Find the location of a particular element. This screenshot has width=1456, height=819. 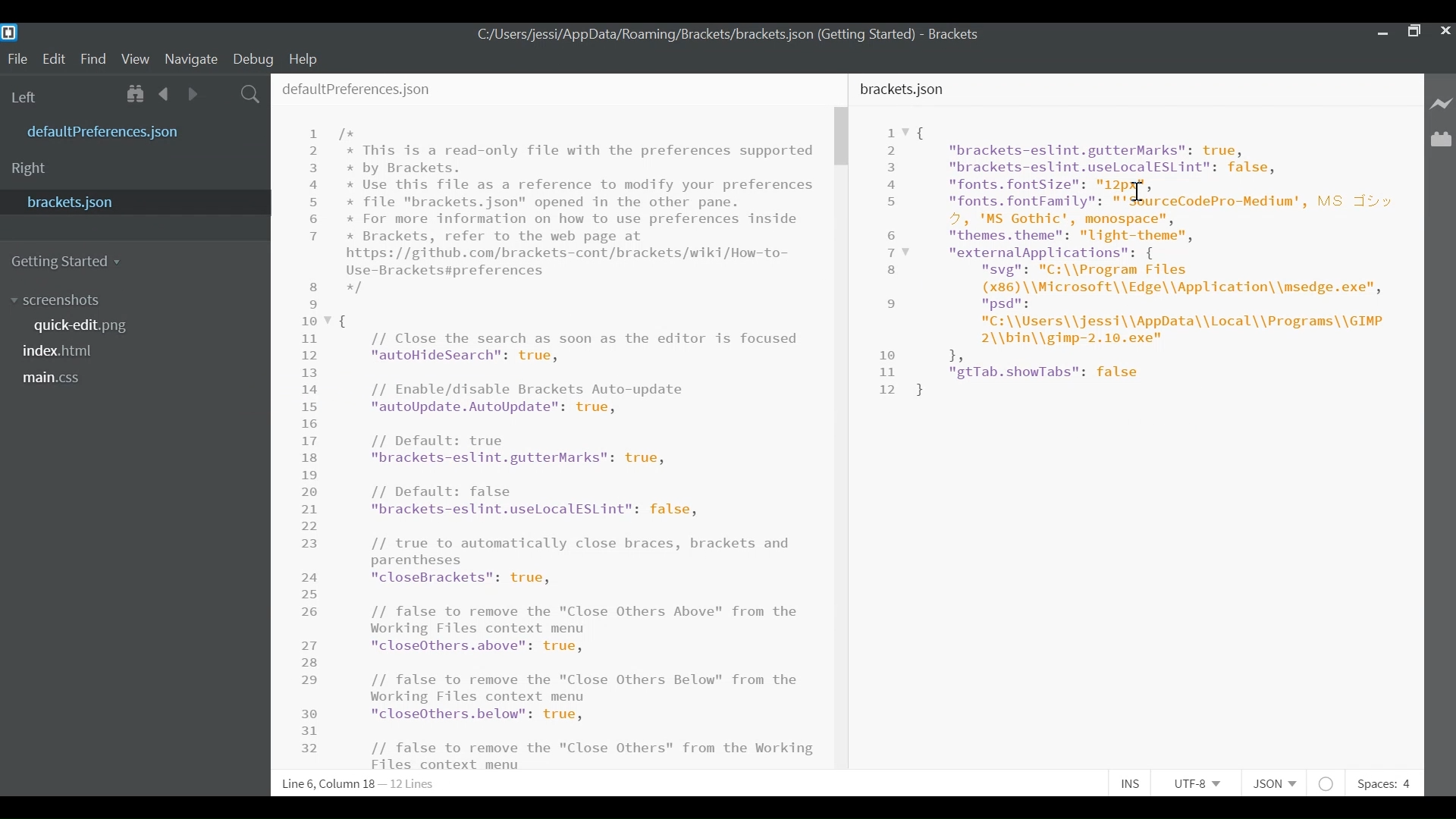

index.html is located at coordinates (62, 352).